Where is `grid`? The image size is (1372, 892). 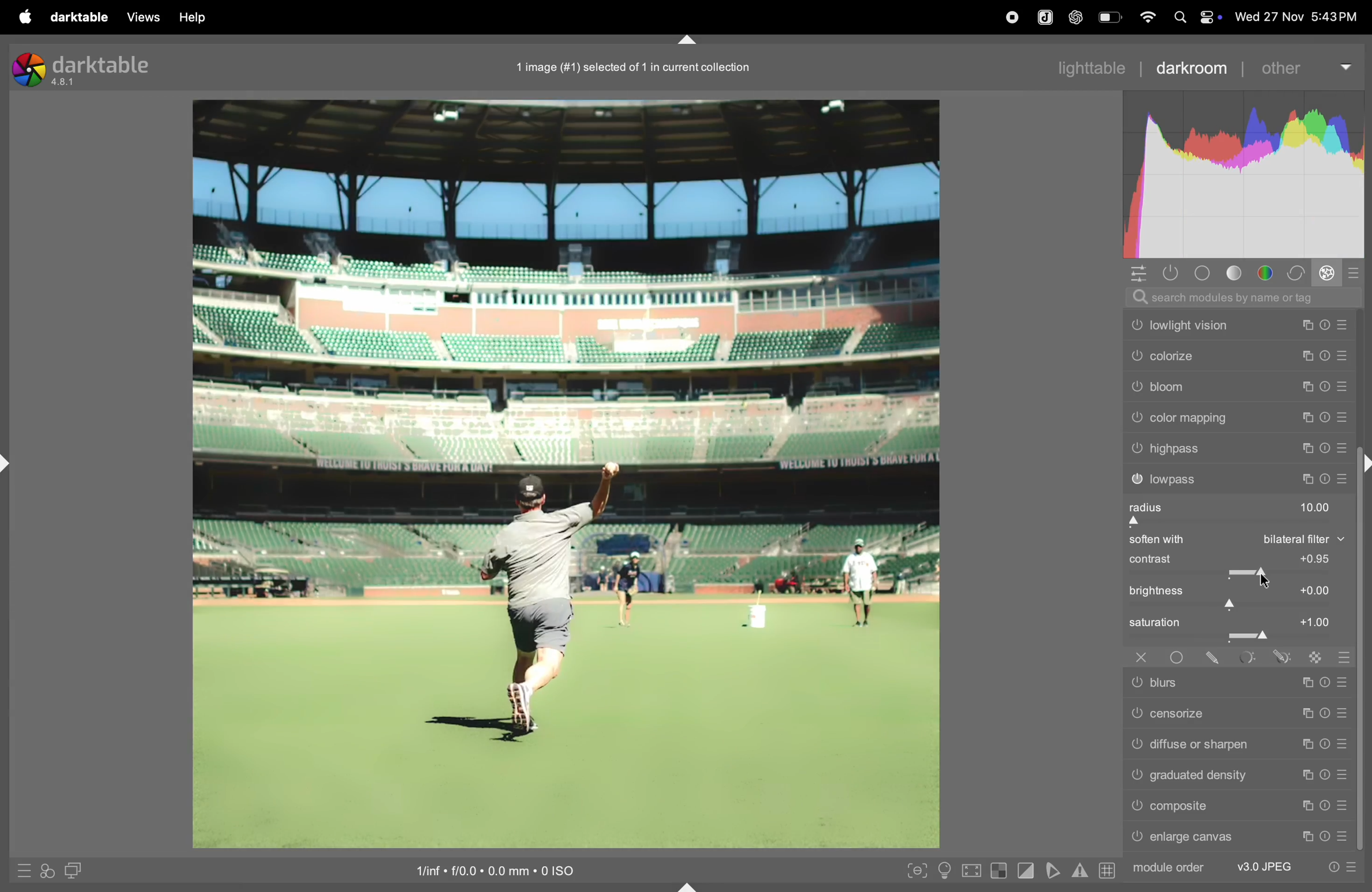 grid is located at coordinates (1106, 871).